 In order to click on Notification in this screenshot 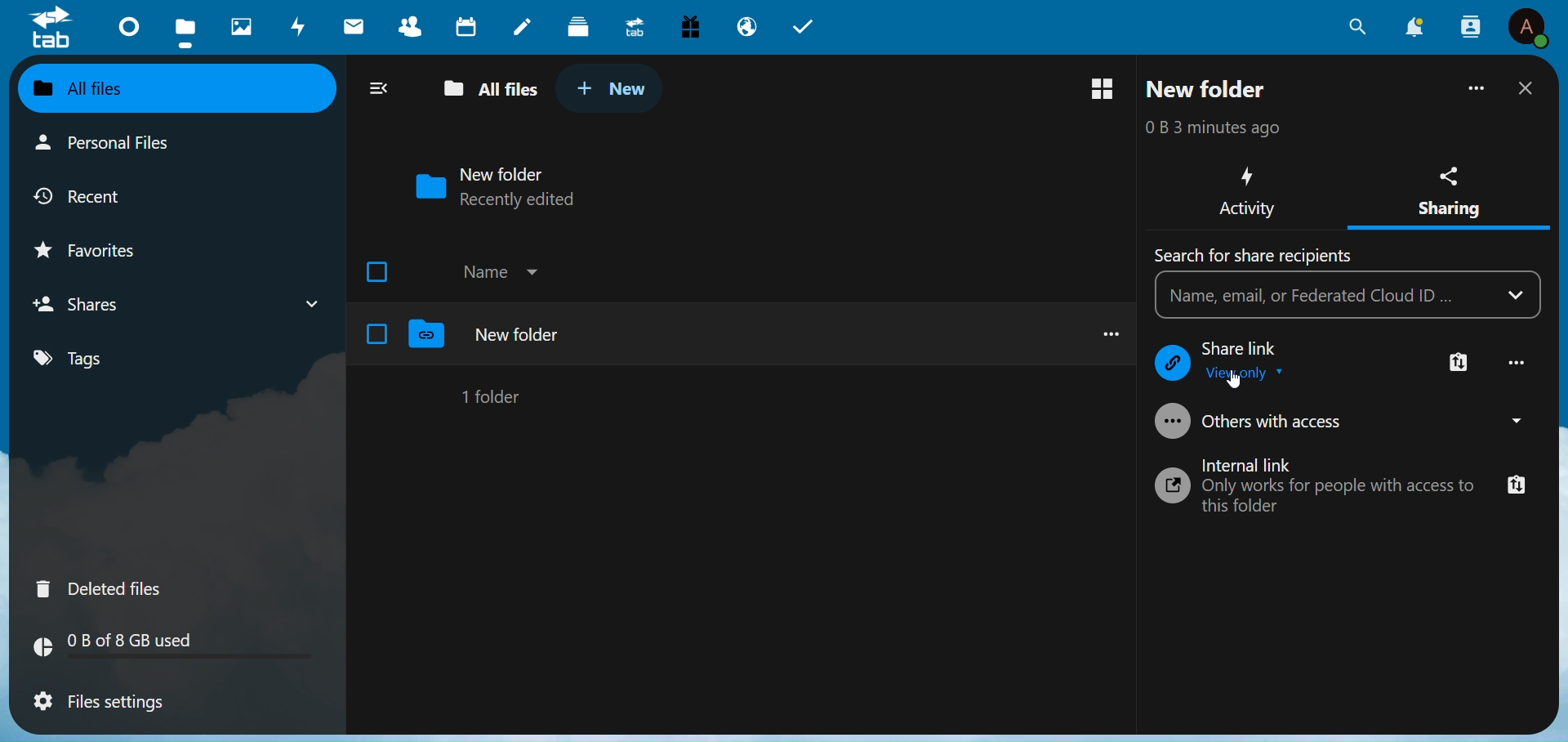, I will do `click(1415, 27)`.